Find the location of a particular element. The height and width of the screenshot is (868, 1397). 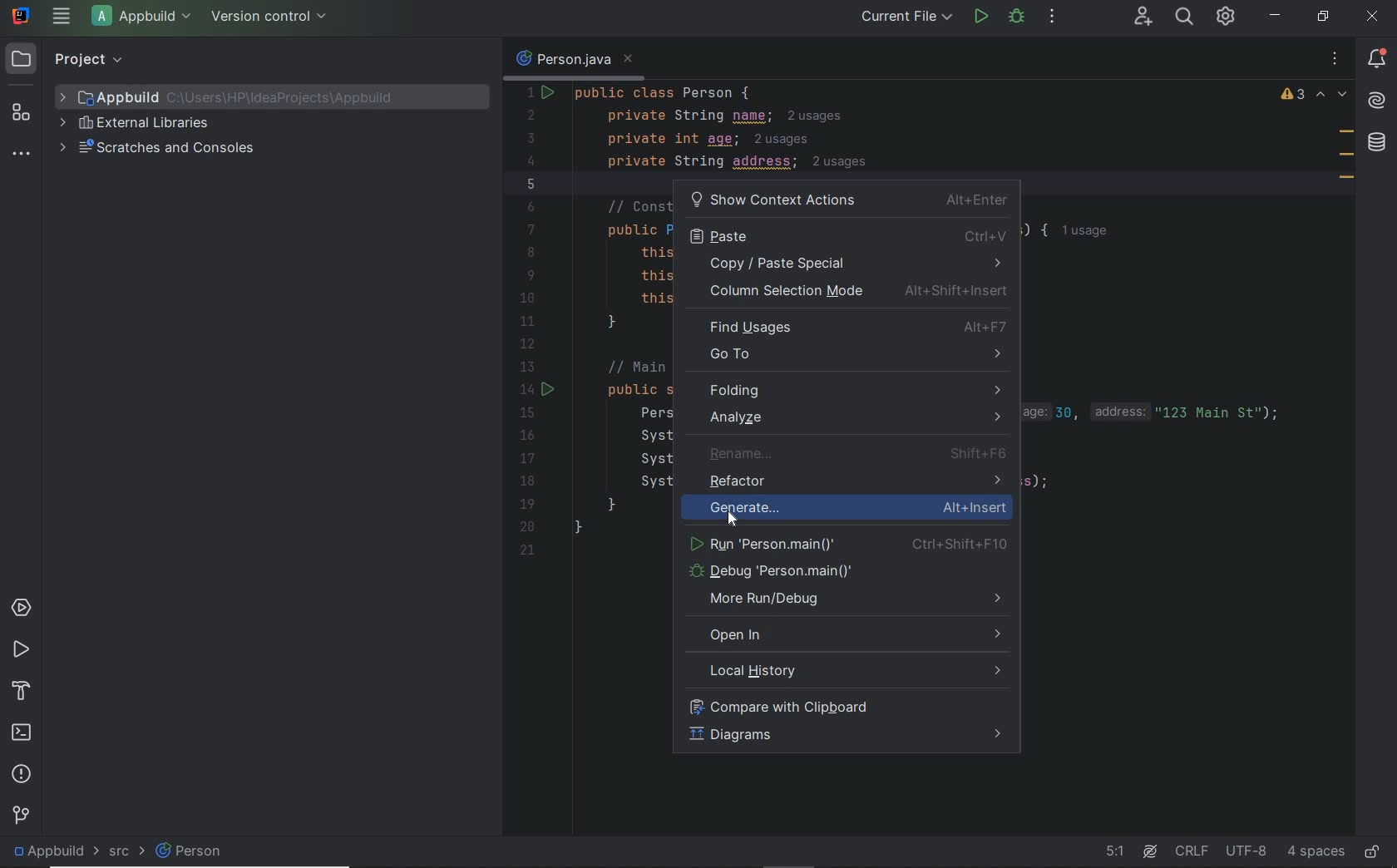

run is located at coordinates (19, 648).